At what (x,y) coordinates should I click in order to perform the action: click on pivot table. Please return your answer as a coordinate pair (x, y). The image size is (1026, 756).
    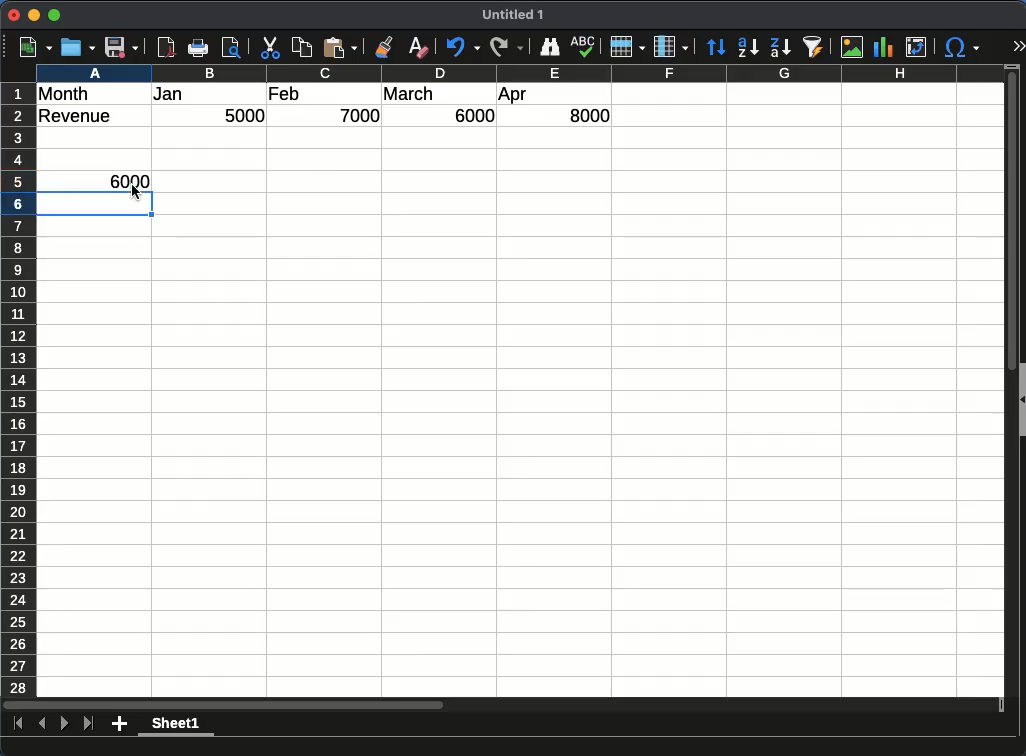
    Looking at the image, I should click on (916, 47).